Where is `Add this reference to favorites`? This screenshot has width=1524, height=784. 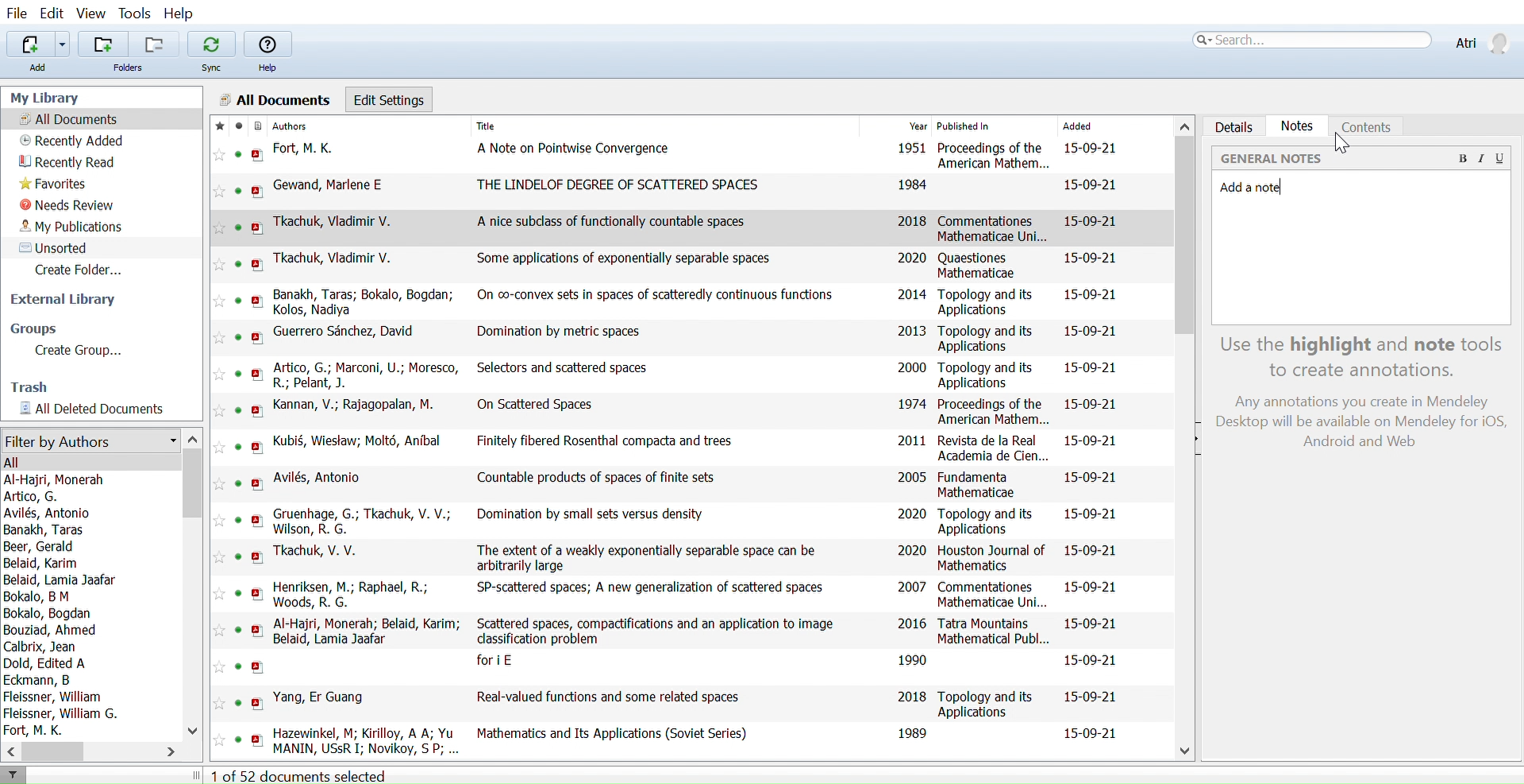 Add this reference to favorites is located at coordinates (220, 484).